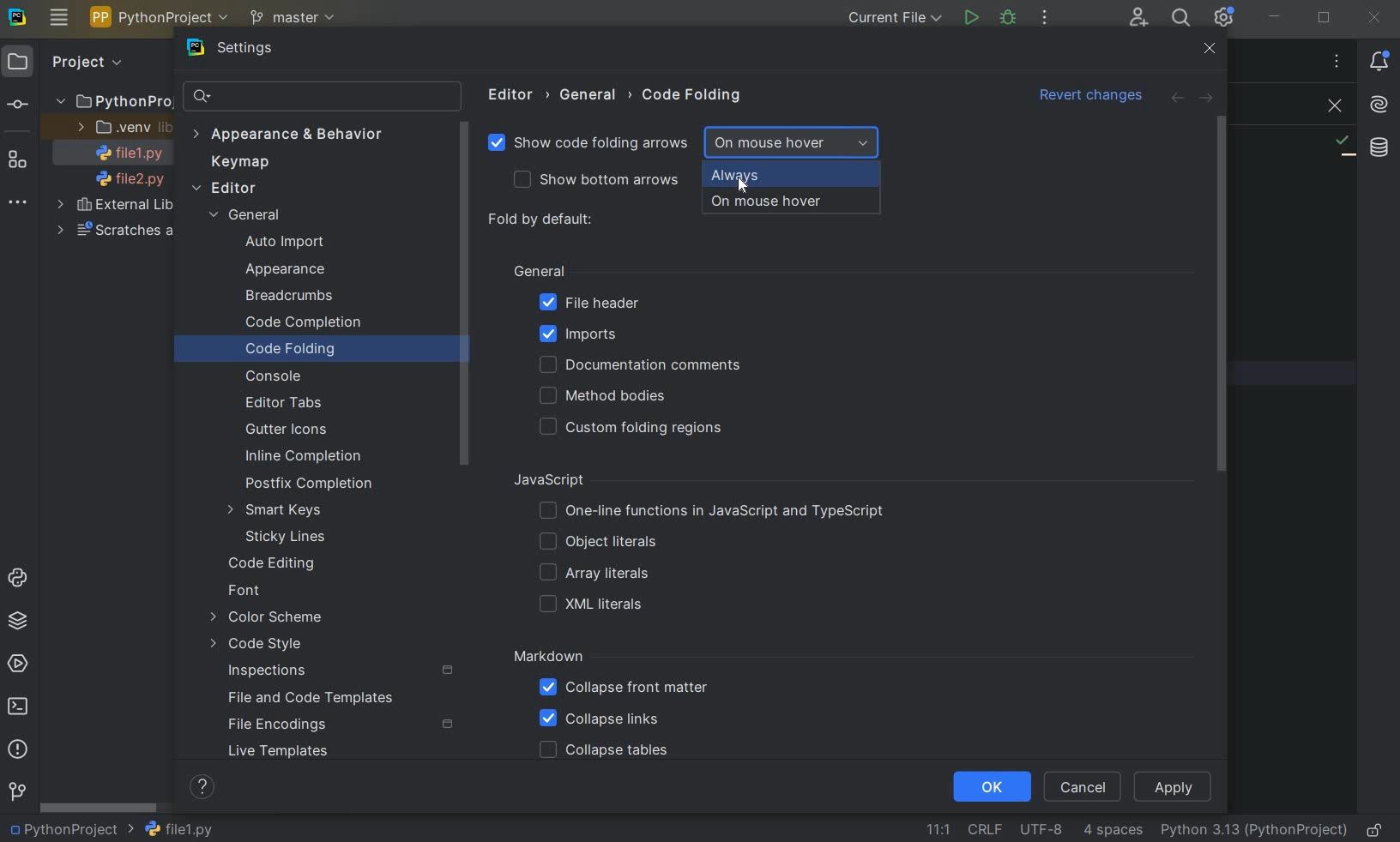 The height and width of the screenshot is (842, 1400). Describe the element at coordinates (253, 50) in the screenshot. I see `SETTINGS` at that location.